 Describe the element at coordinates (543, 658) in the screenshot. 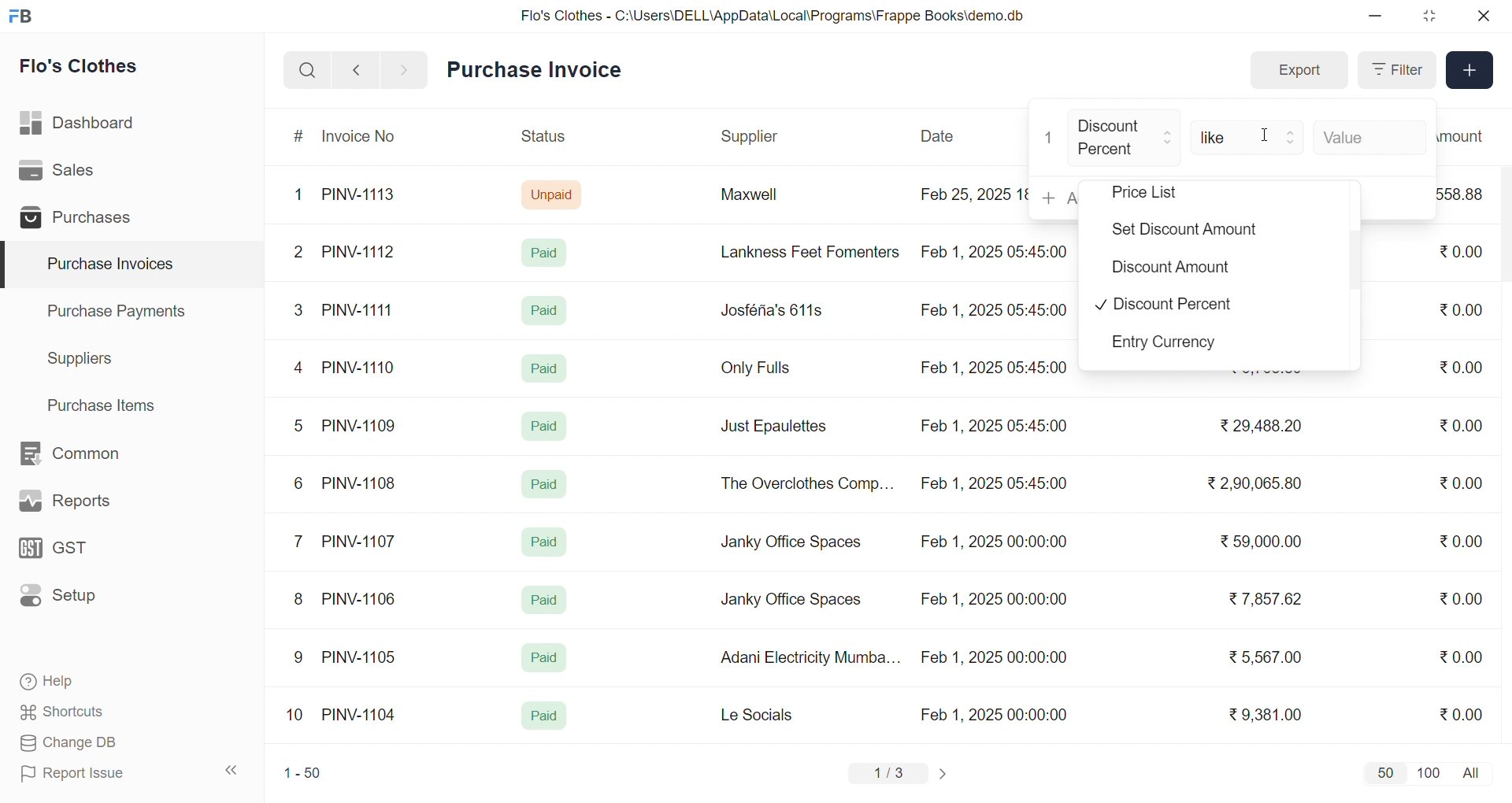

I see `Paid` at that location.